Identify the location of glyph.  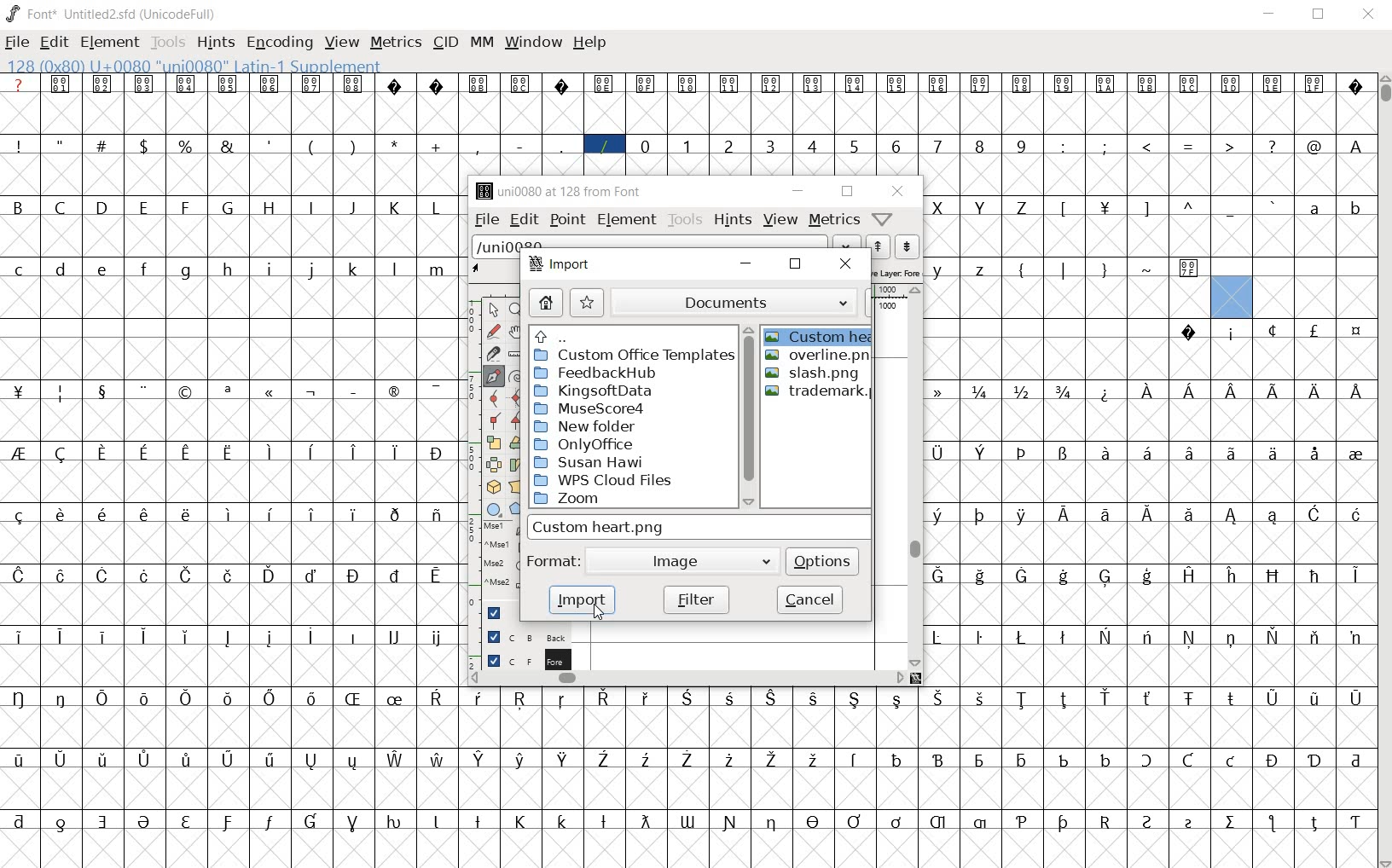
(728, 760).